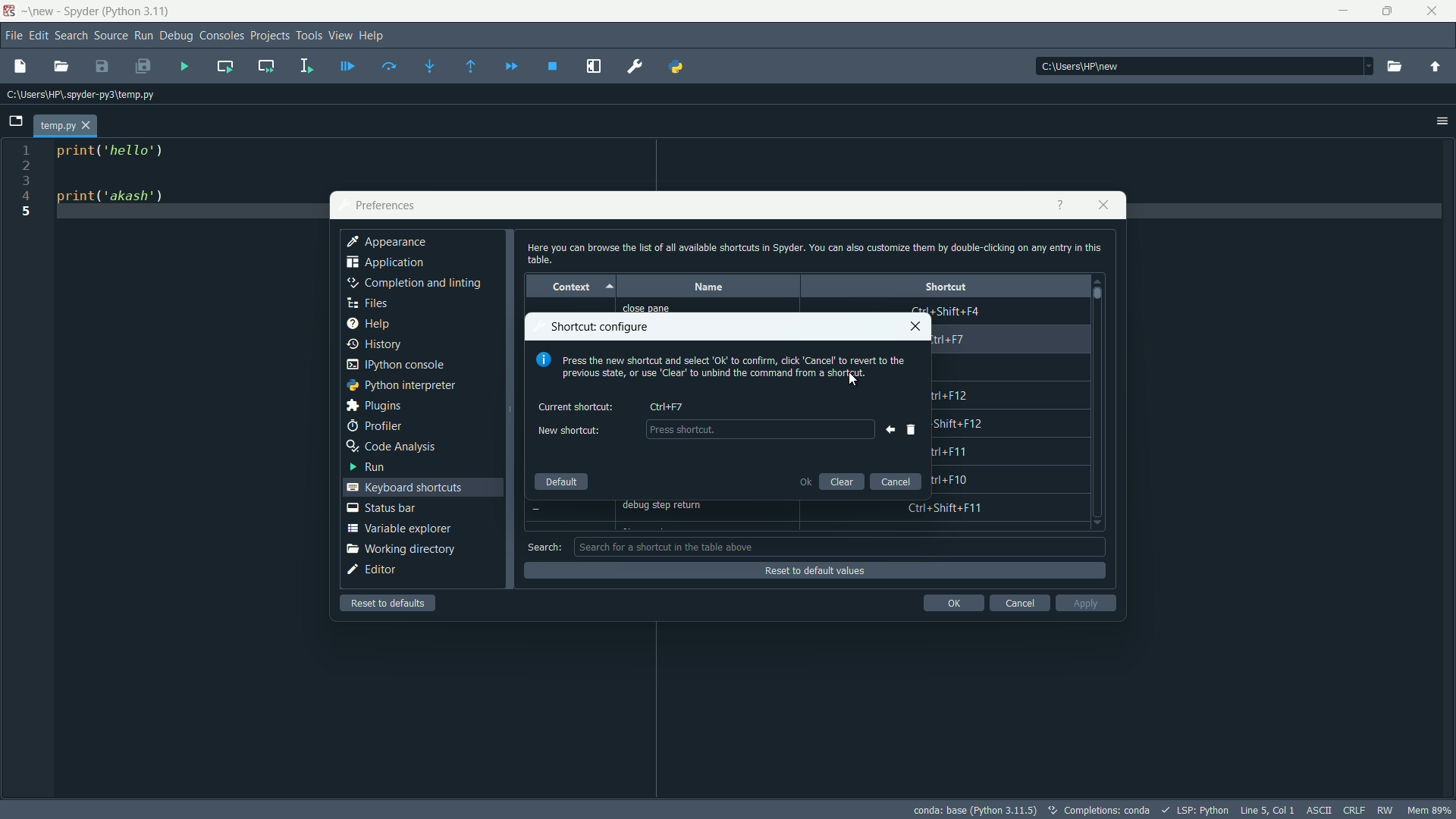  Describe the element at coordinates (143, 36) in the screenshot. I see `run menu` at that location.